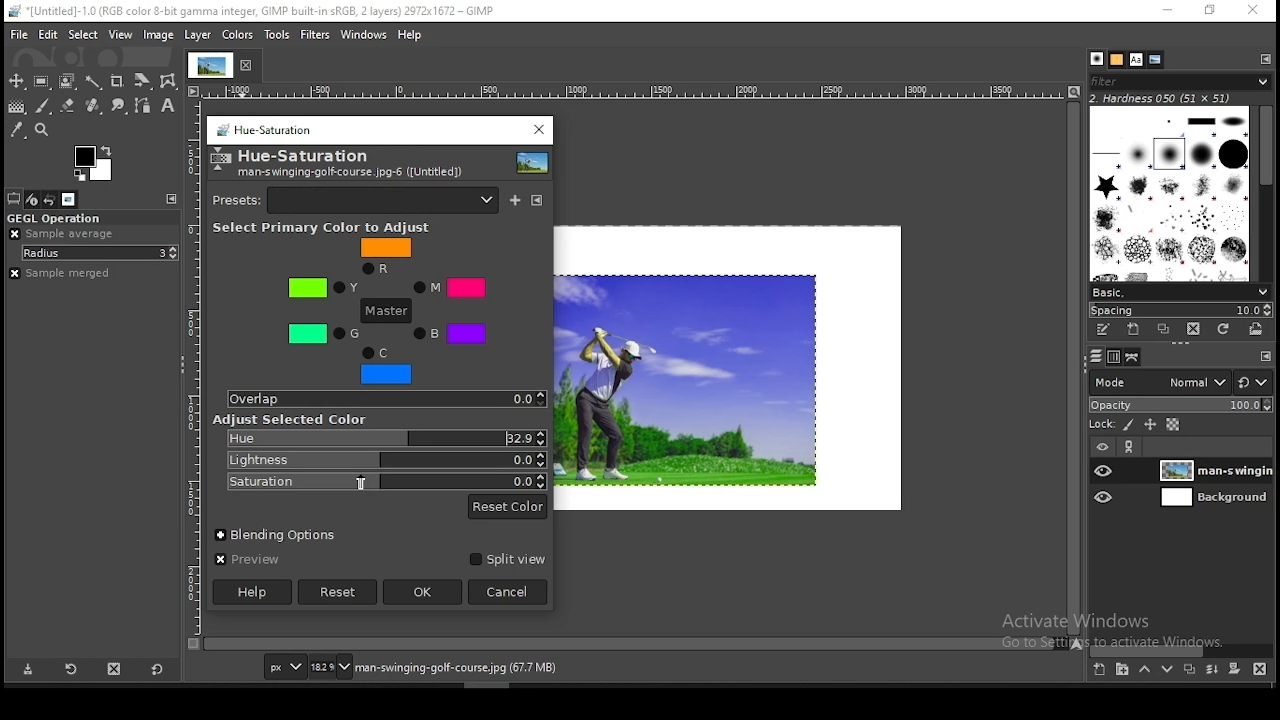  I want to click on wrap transform, so click(168, 82).